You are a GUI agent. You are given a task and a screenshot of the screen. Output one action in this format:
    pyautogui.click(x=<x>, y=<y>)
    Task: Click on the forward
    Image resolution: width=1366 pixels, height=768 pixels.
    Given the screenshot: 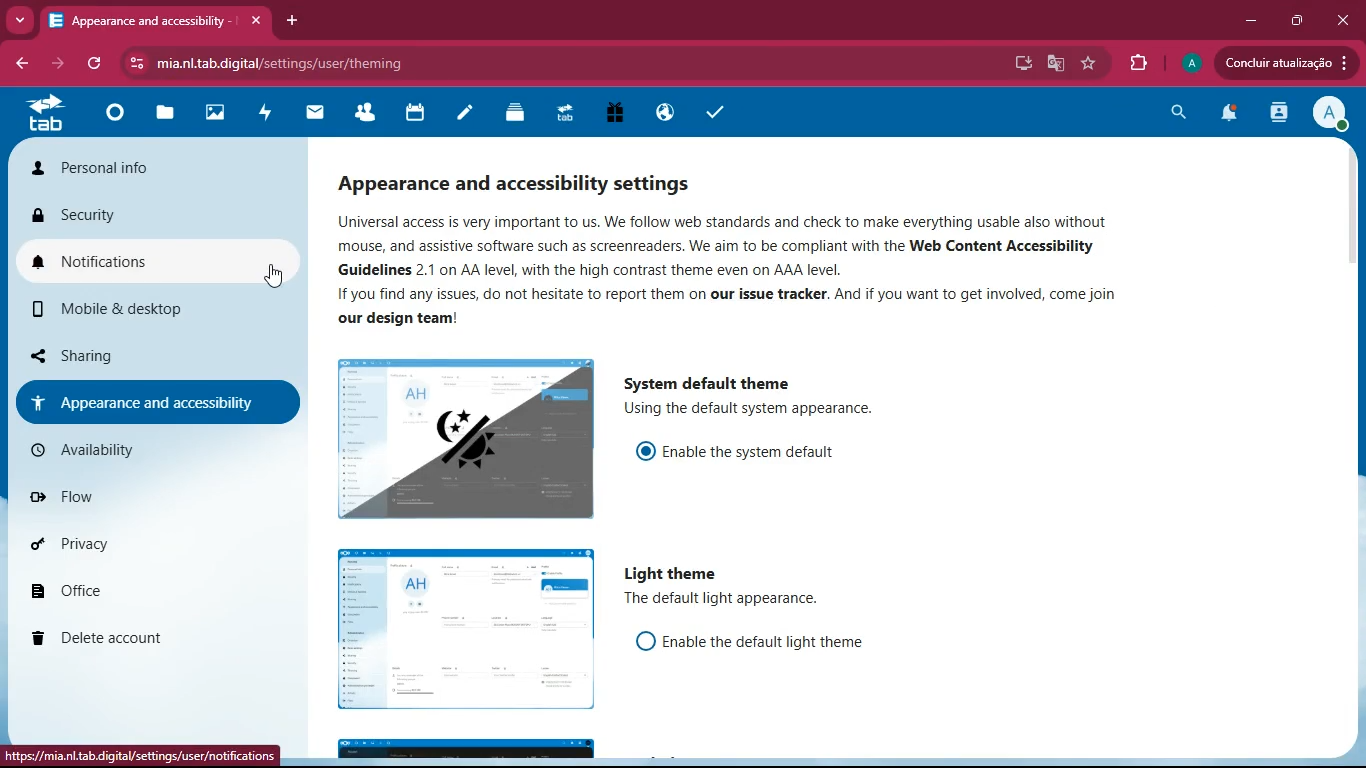 What is the action you would take?
    pyautogui.click(x=55, y=62)
    